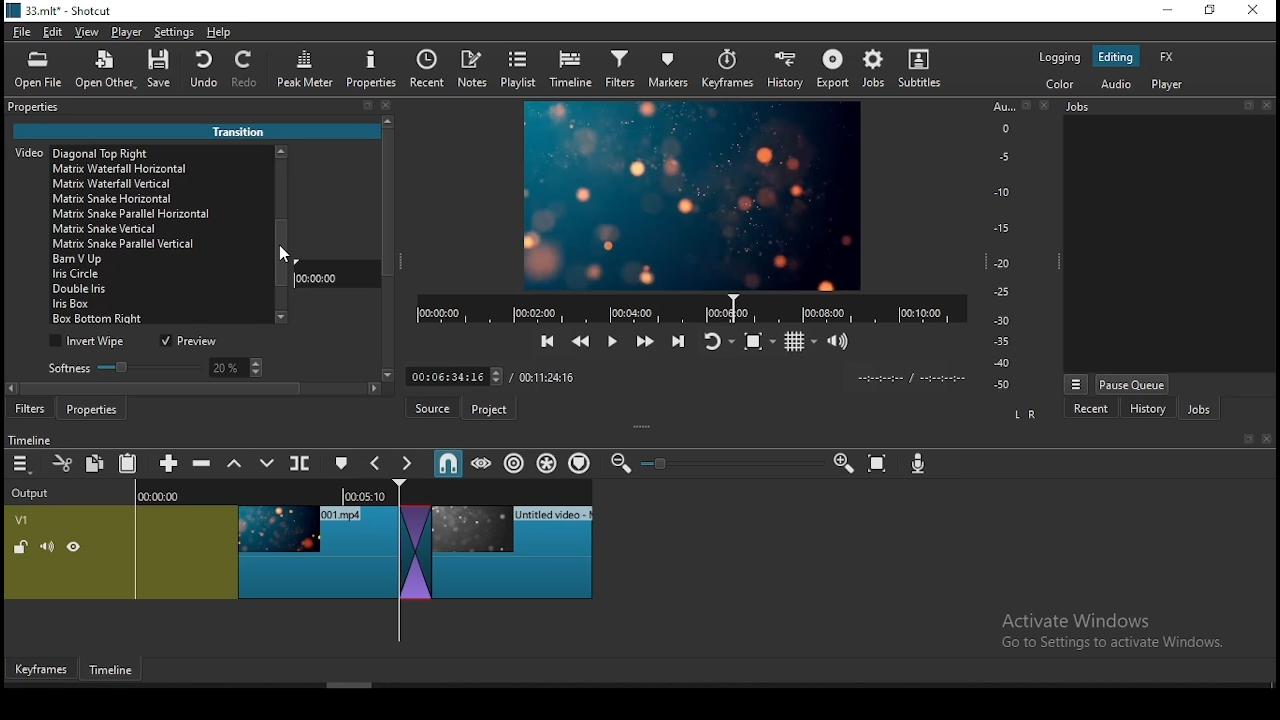  I want to click on scrub while dragging, so click(483, 464).